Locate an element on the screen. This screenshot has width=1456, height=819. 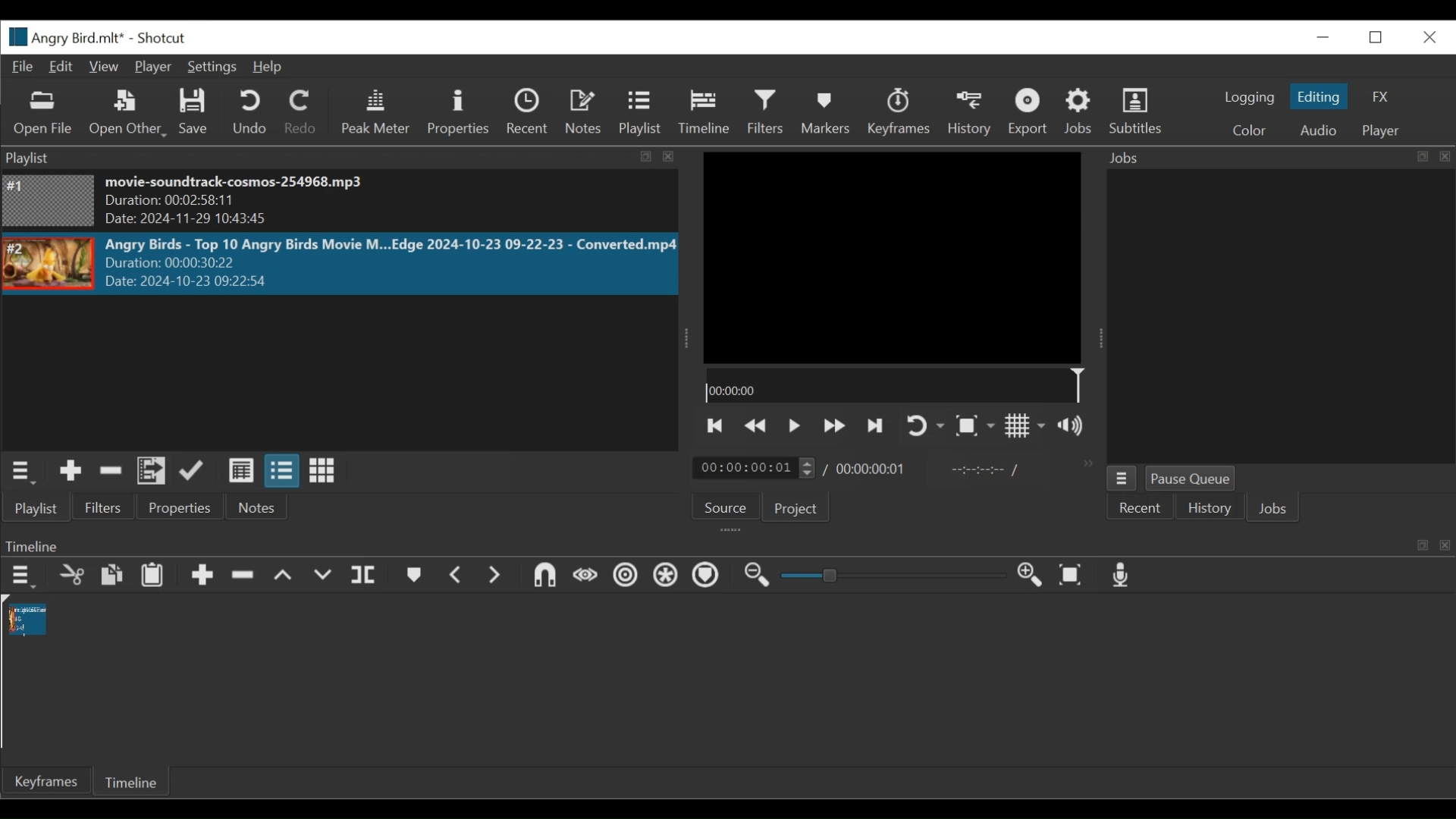
Ripple Delete is located at coordinates (243, 576).